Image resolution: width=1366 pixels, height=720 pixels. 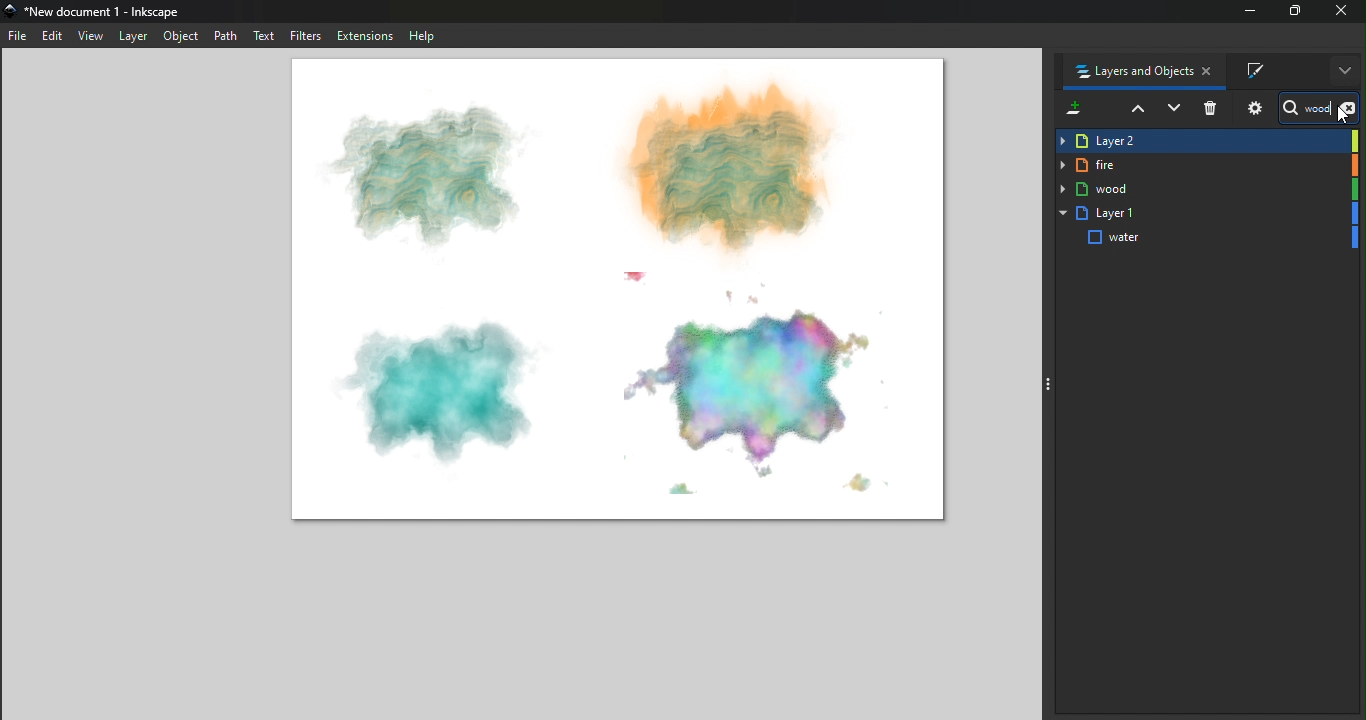 I want to click on Text, so click(x=266, y=35).